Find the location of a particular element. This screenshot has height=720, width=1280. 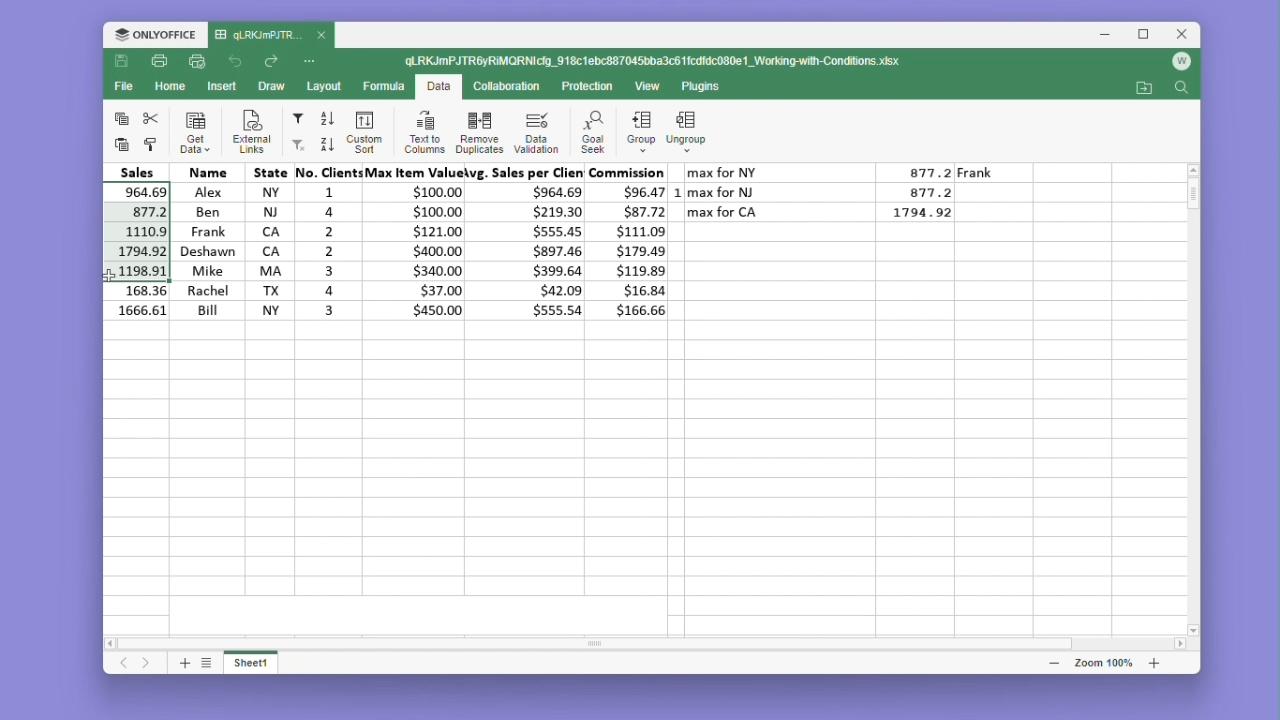

sort ascending is located at coordinates (328, 119).